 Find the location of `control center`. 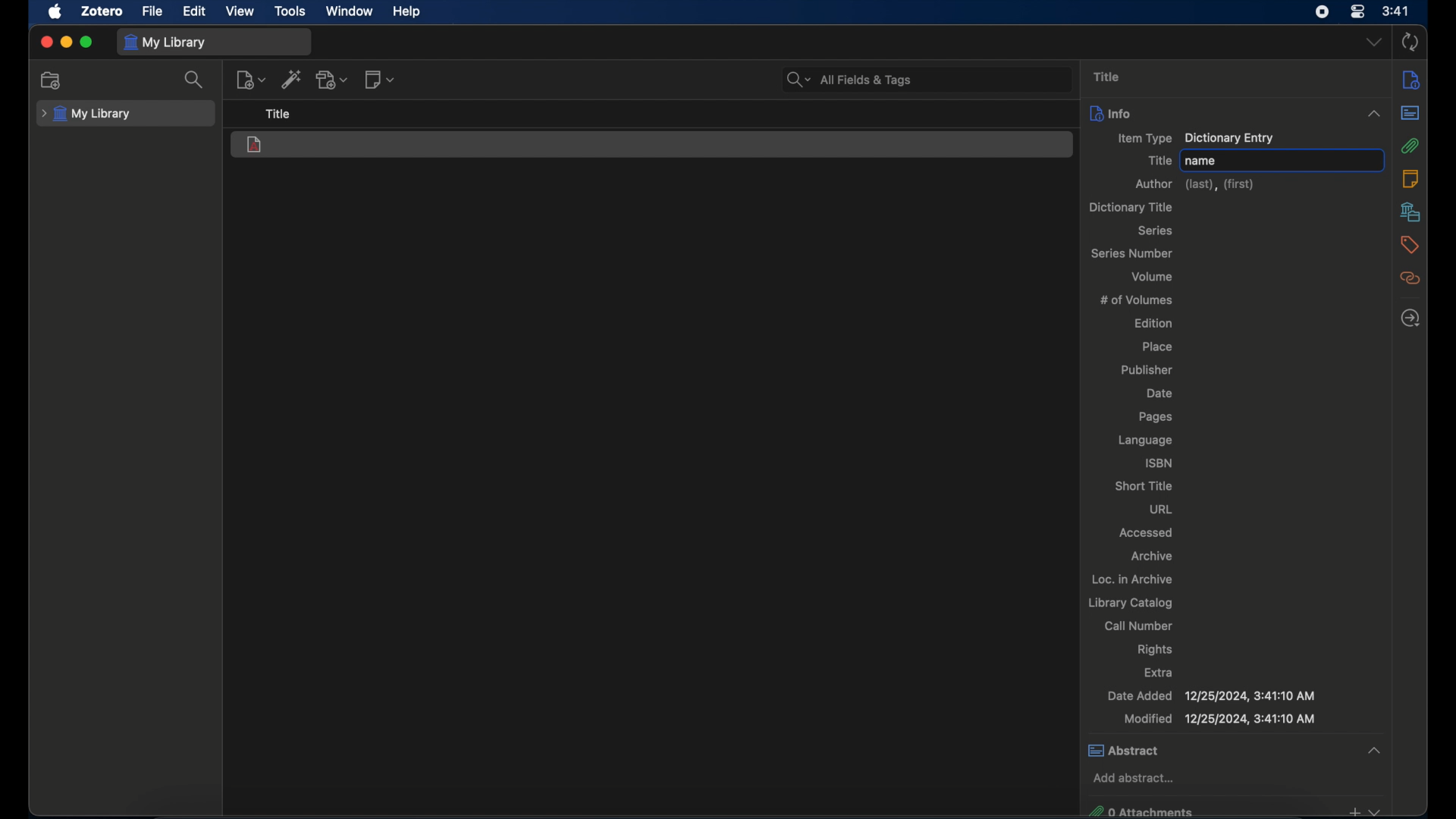

control center is located at coordinates (1357, 11).